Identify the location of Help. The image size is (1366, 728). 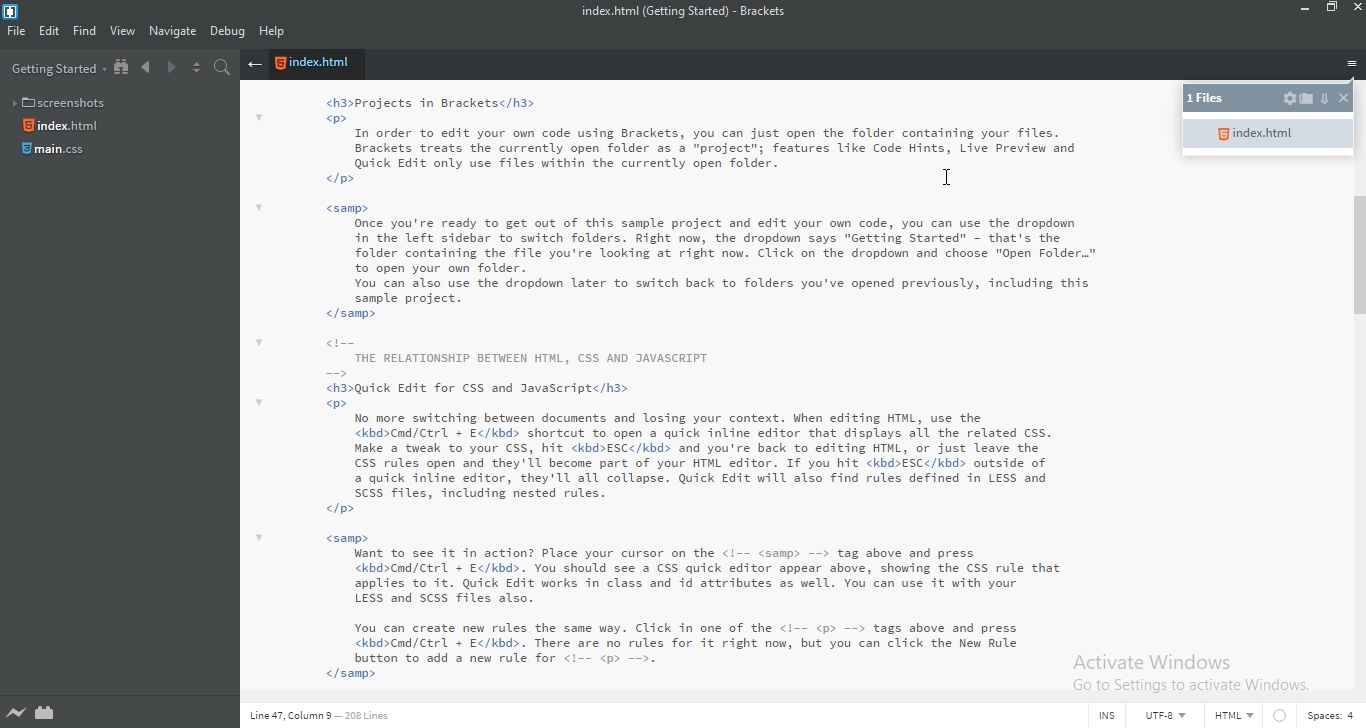
(274, 33).